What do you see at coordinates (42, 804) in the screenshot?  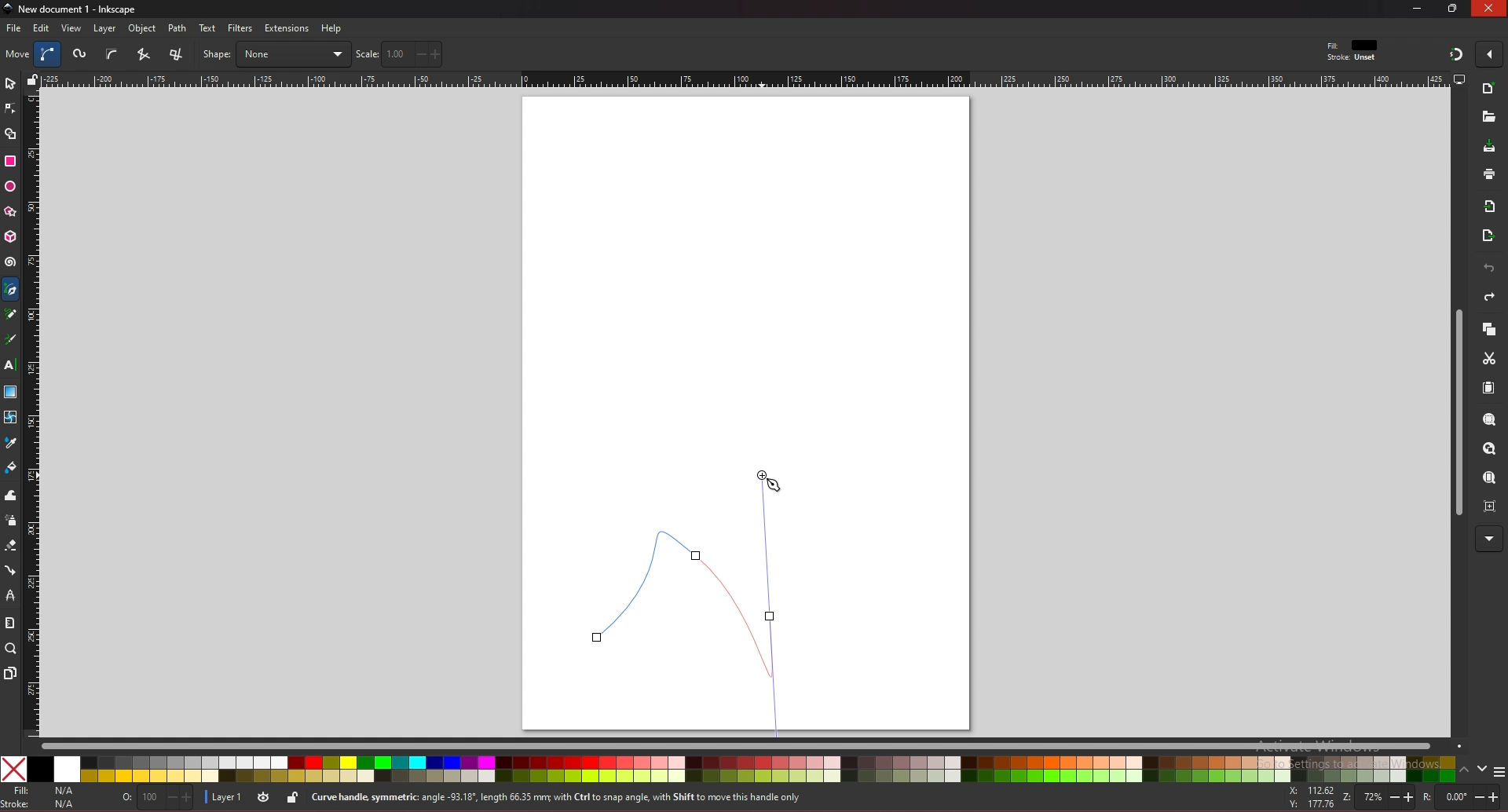 I see `stroke` at bounding box center [42, 804].